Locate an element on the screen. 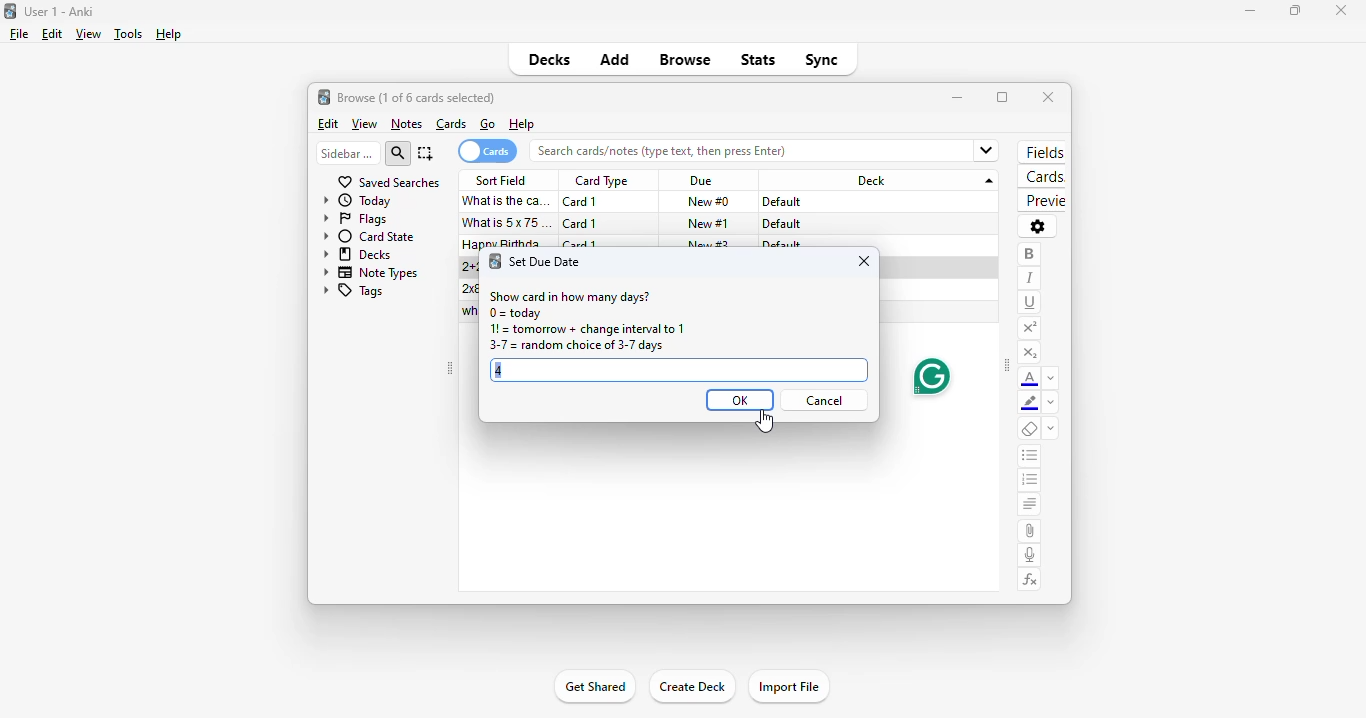 The width and height of the screenshot is (1366, 718). browse (1 of 6 cards selected) is located at coordinates (417, 97).